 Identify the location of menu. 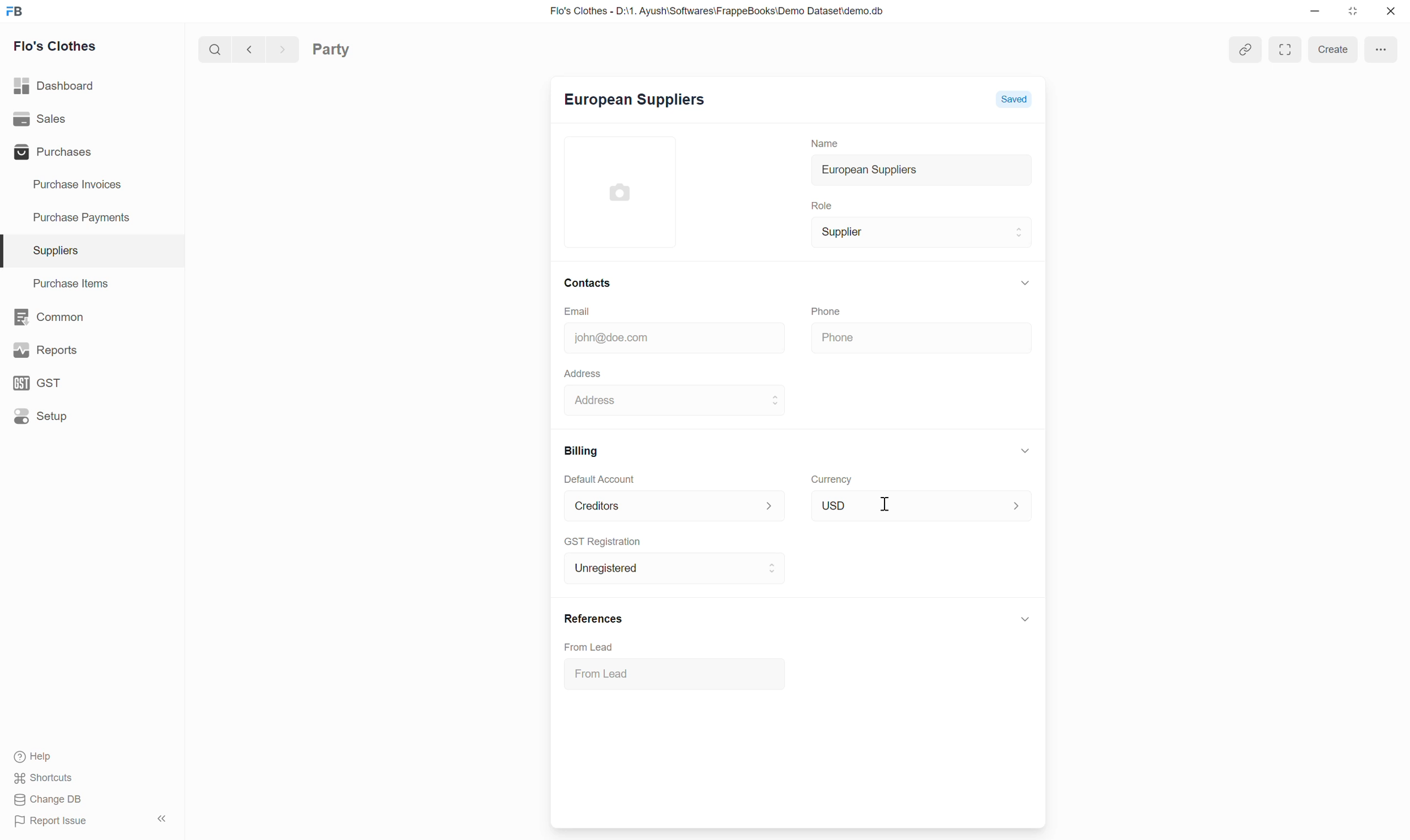
(1381, 47).